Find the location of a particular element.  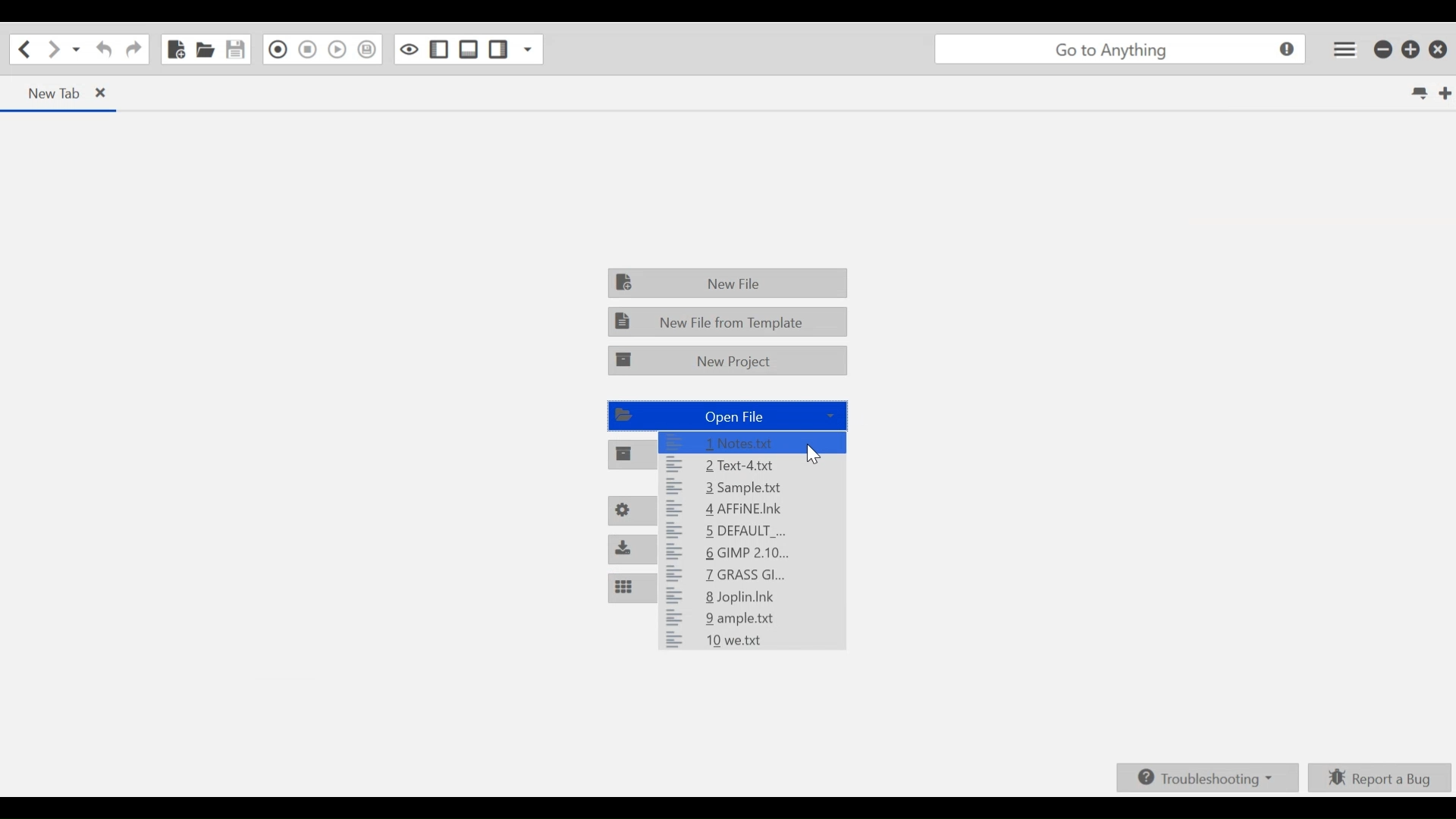

1 Notes.txt is located at coordinates (752, 443).